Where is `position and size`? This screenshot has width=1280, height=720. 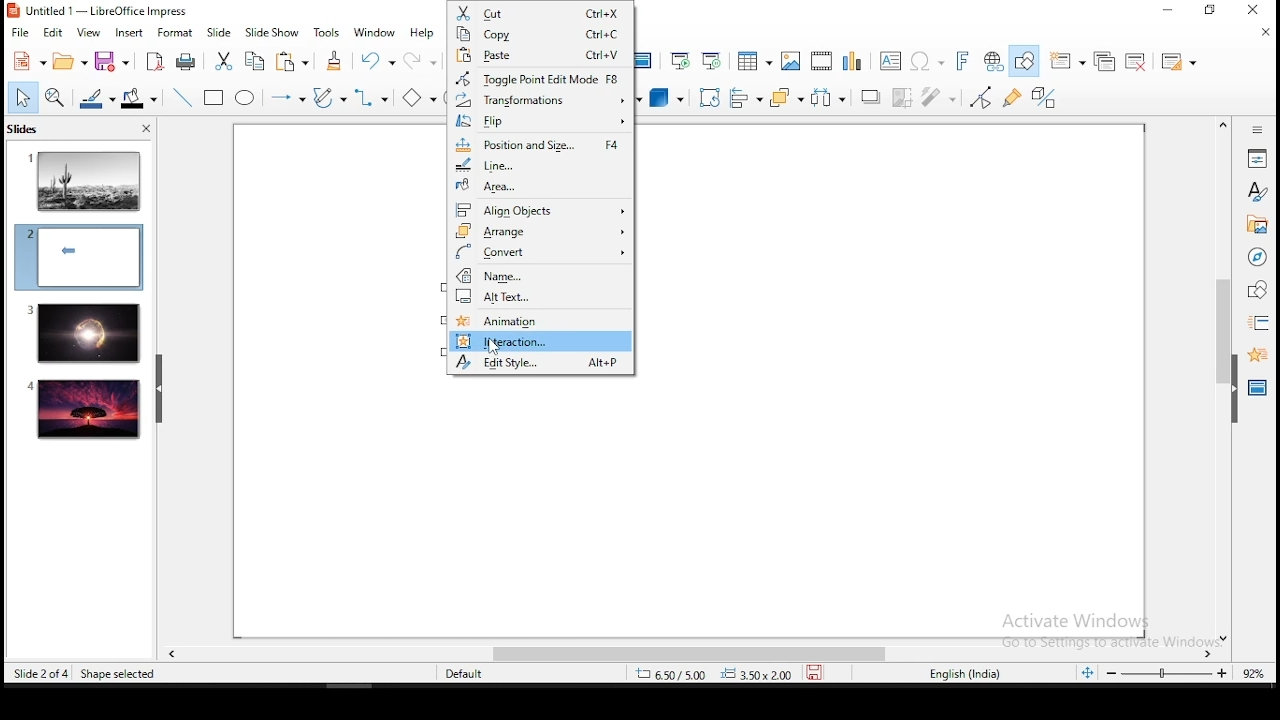
position and size is located at coordinates (542, 141).